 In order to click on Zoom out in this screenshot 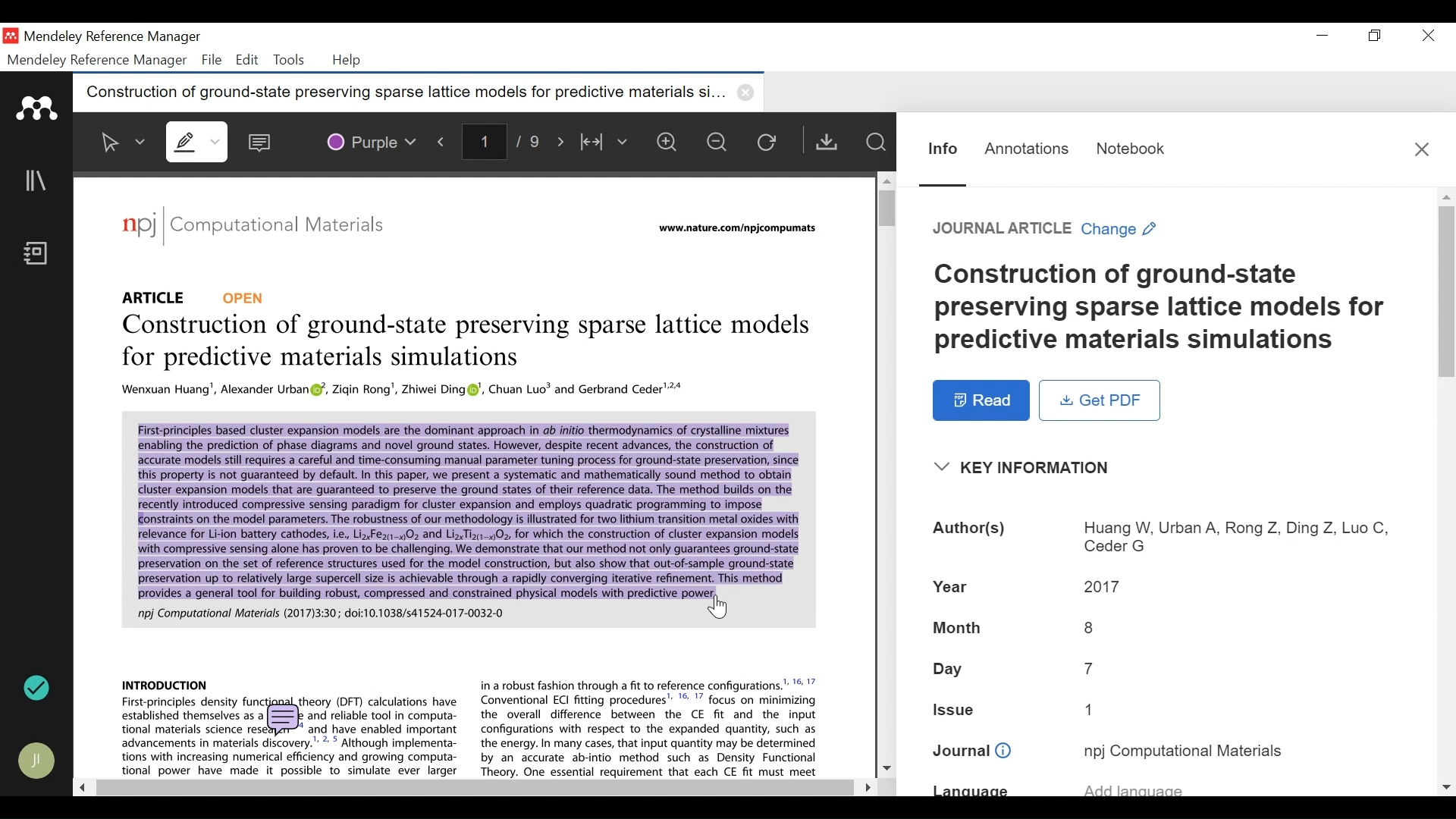, I will do `click(718, 141)`.